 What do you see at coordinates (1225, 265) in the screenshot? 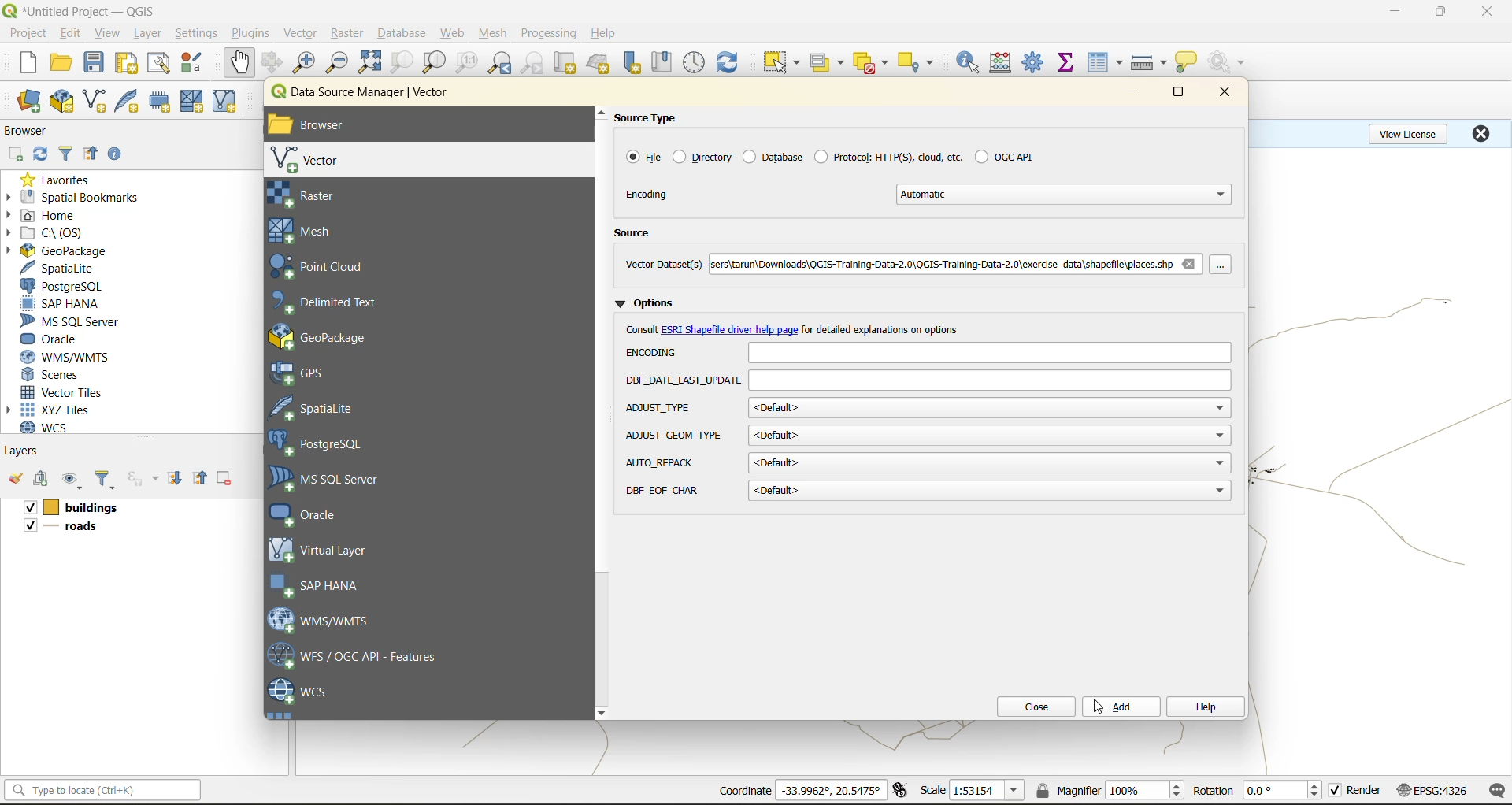
I see `browse` at bounding box center [1225, 265].